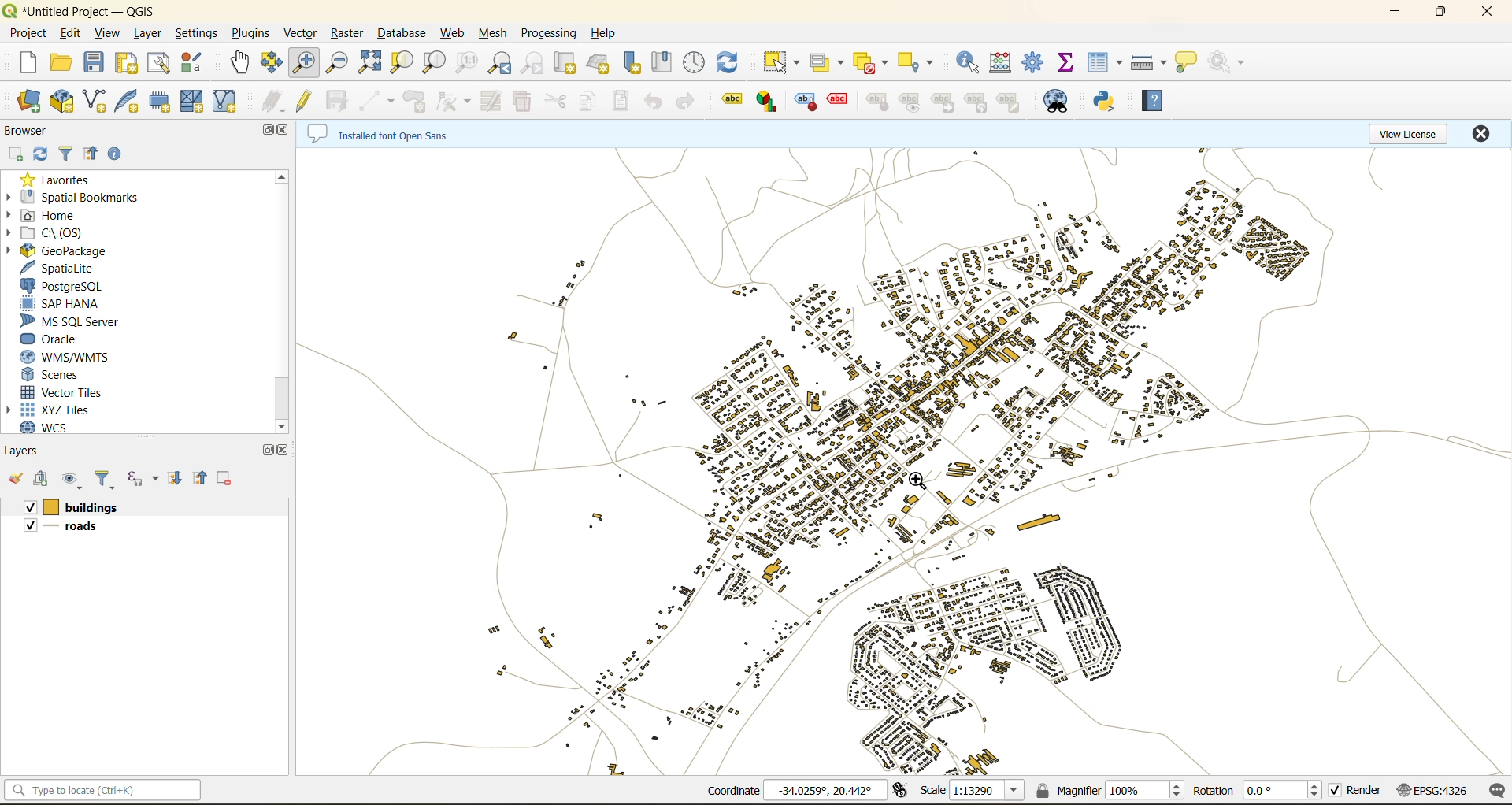 The height and width of the screenshot is (805, 1512). I want to click on Label Options, so click(730, 101).